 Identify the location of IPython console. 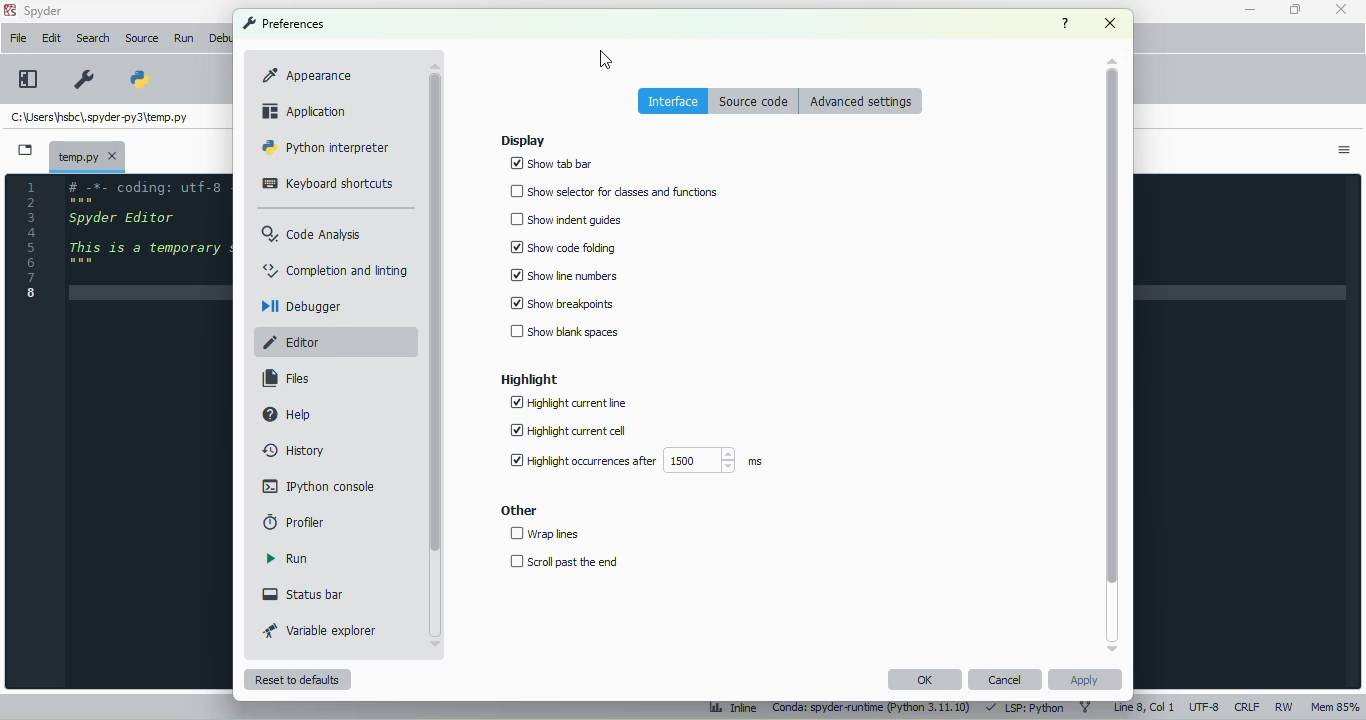
(319, 485).